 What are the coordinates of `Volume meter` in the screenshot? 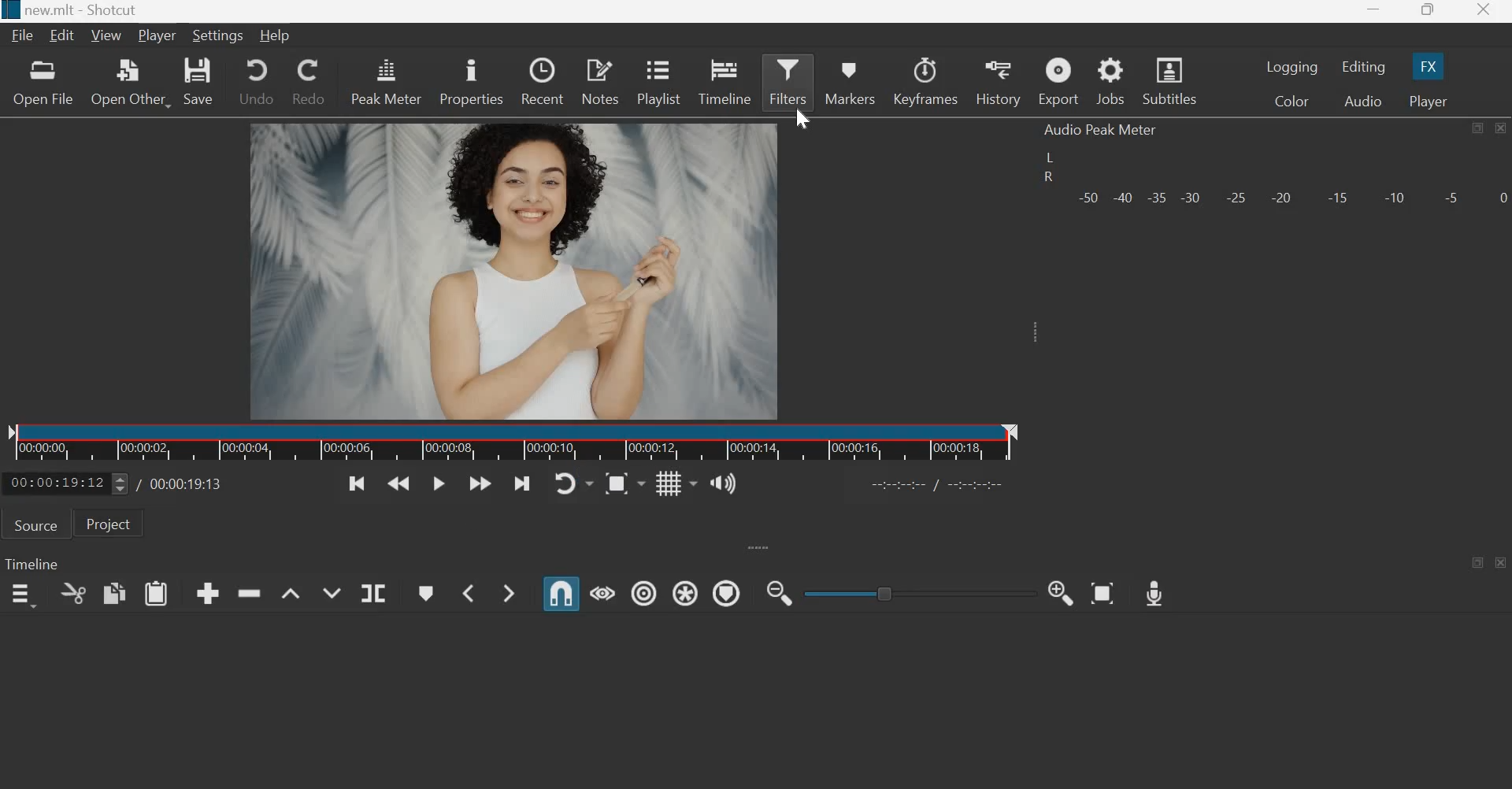 It's located at (1291, 195).